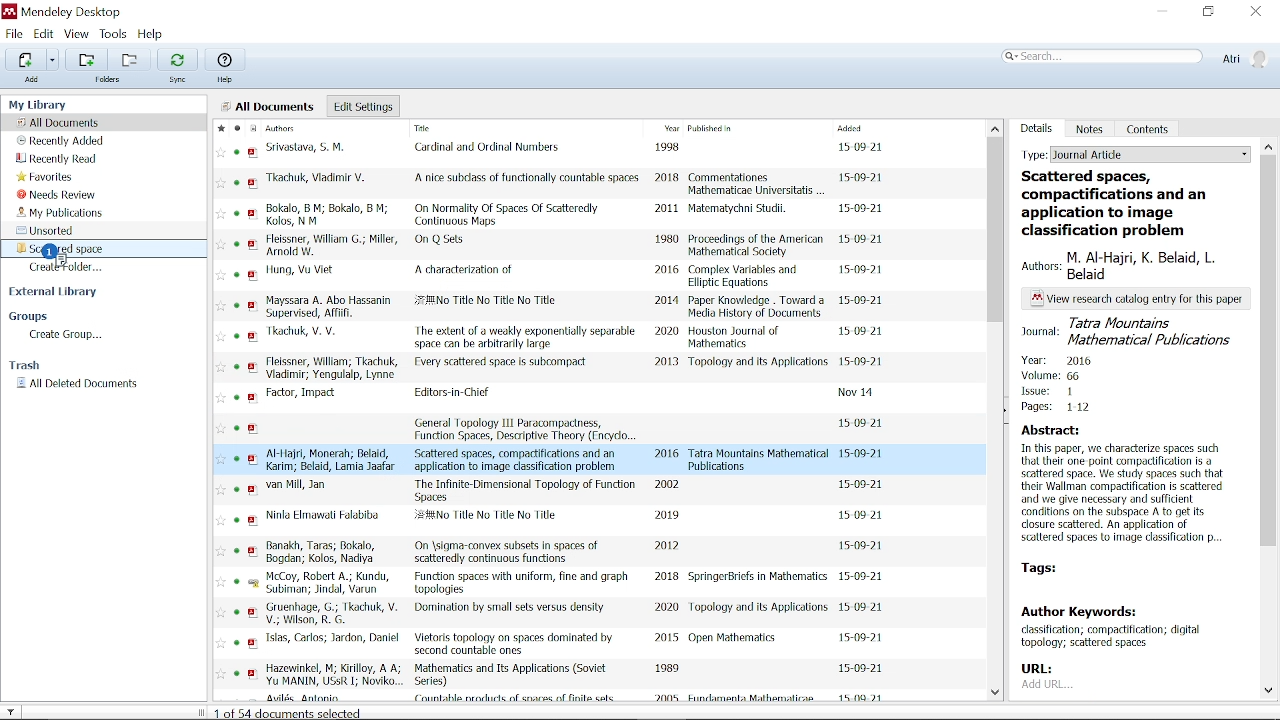 Image resolution: width=1280 pixels, height=720 pixels. I want to click on All documents, so click(60, 122).